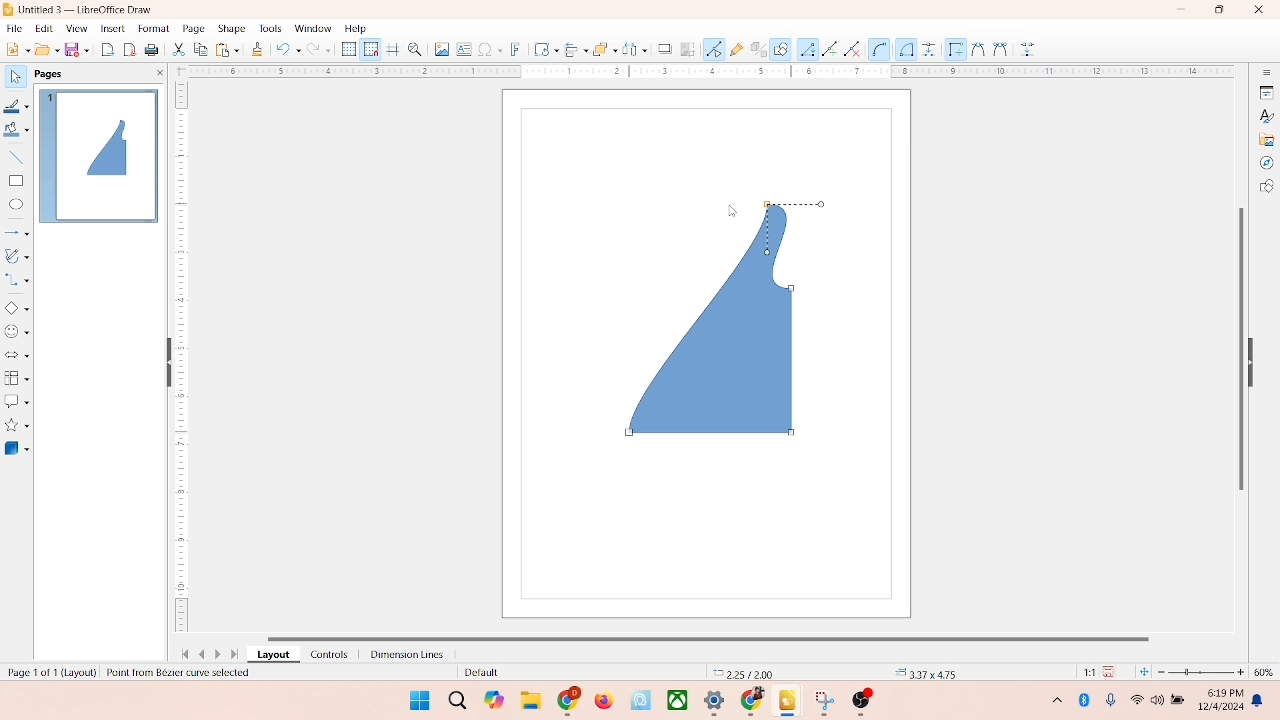  I want to click on callout, so click(16, 401).